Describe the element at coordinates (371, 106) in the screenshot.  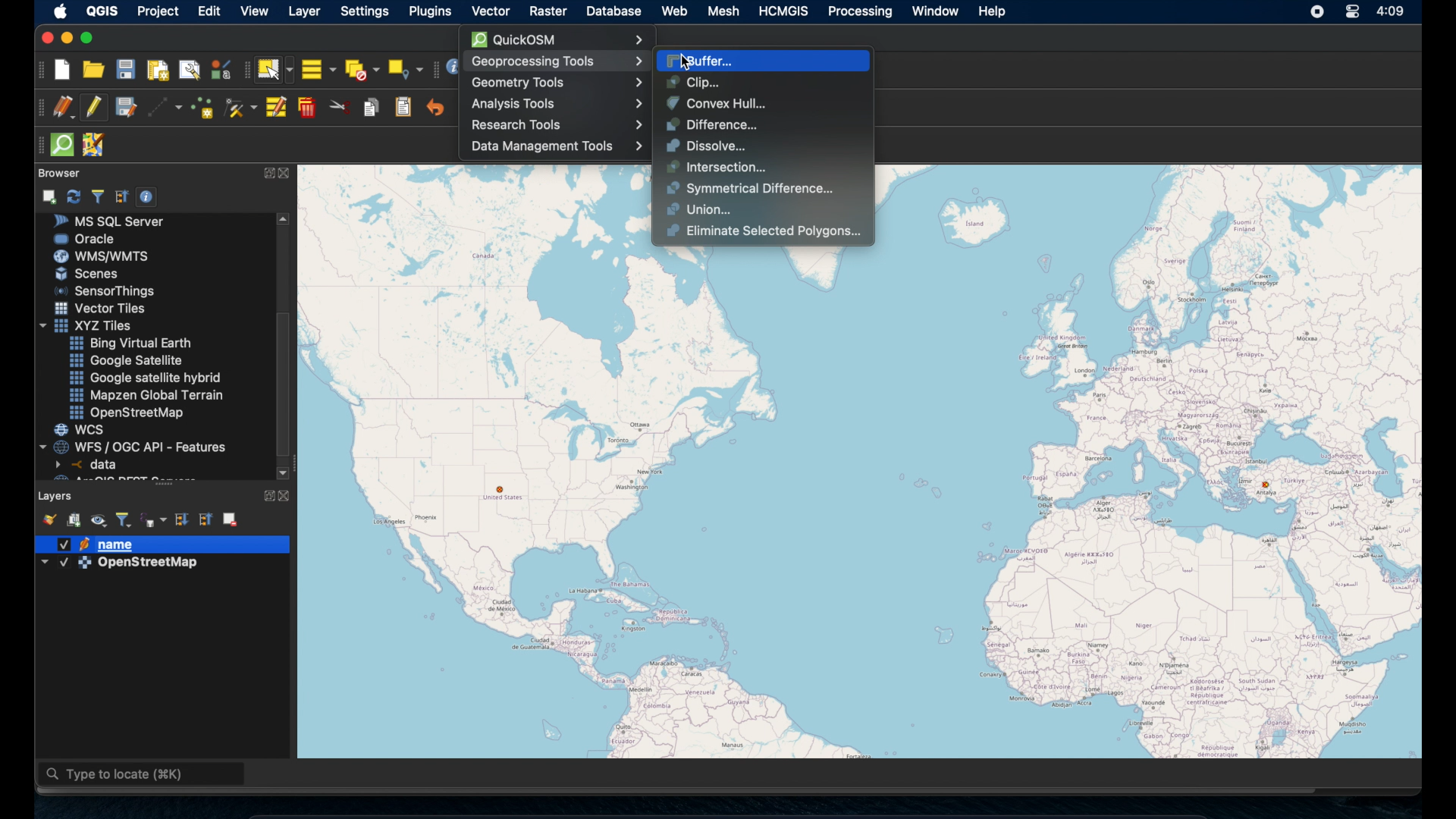
I see `copy features` at that location.